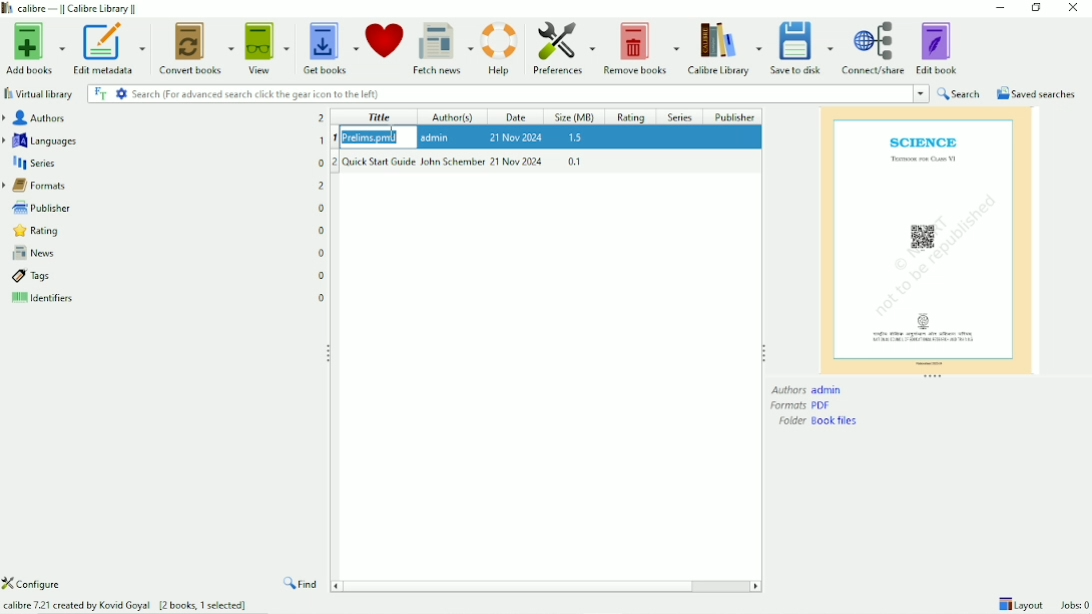  What do you see at coordinates (1072, 9) in the screenshot?
I see `Close` at bounding box center [1072, 9].